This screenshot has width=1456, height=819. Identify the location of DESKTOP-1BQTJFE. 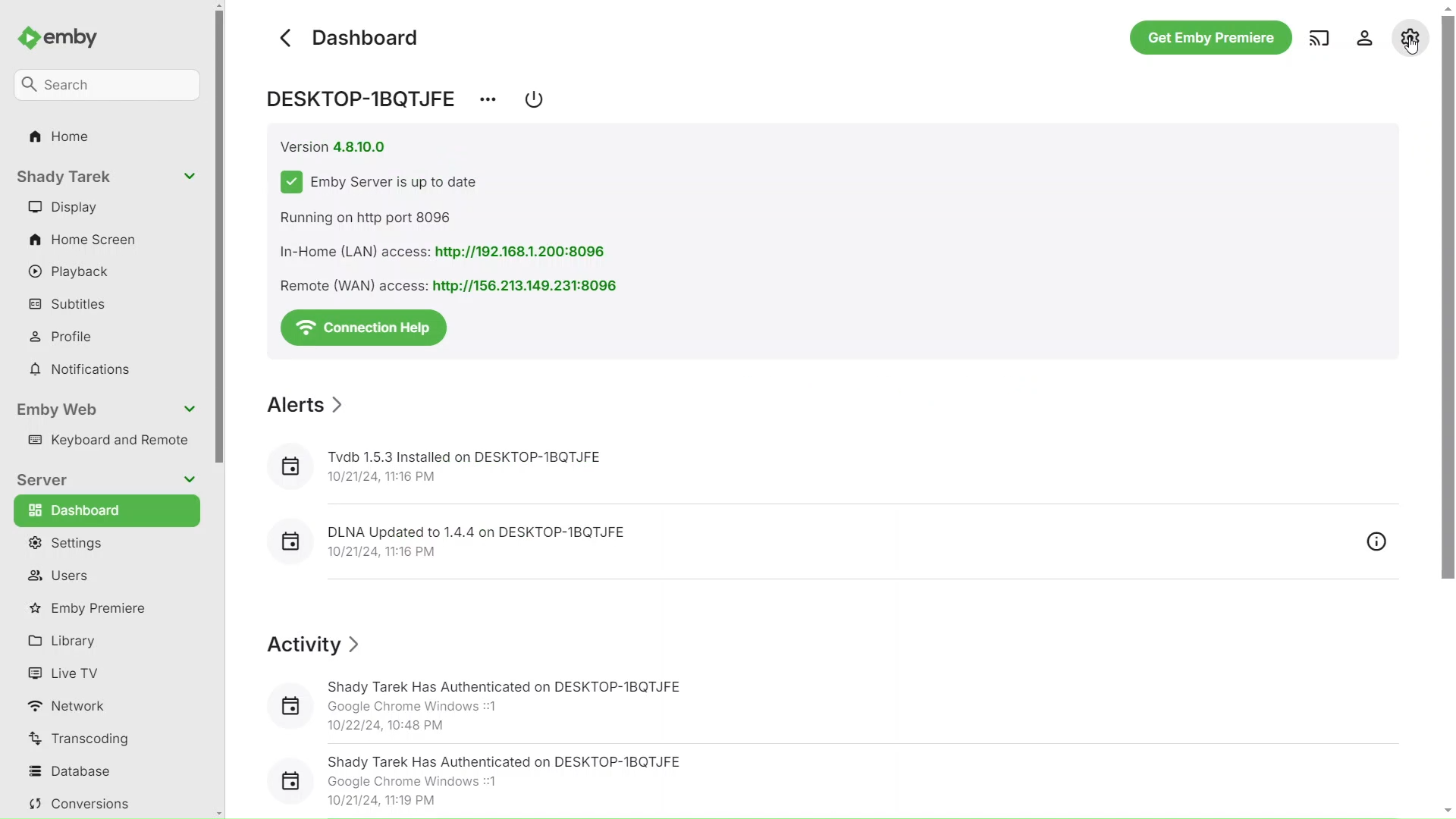
(369, 101).